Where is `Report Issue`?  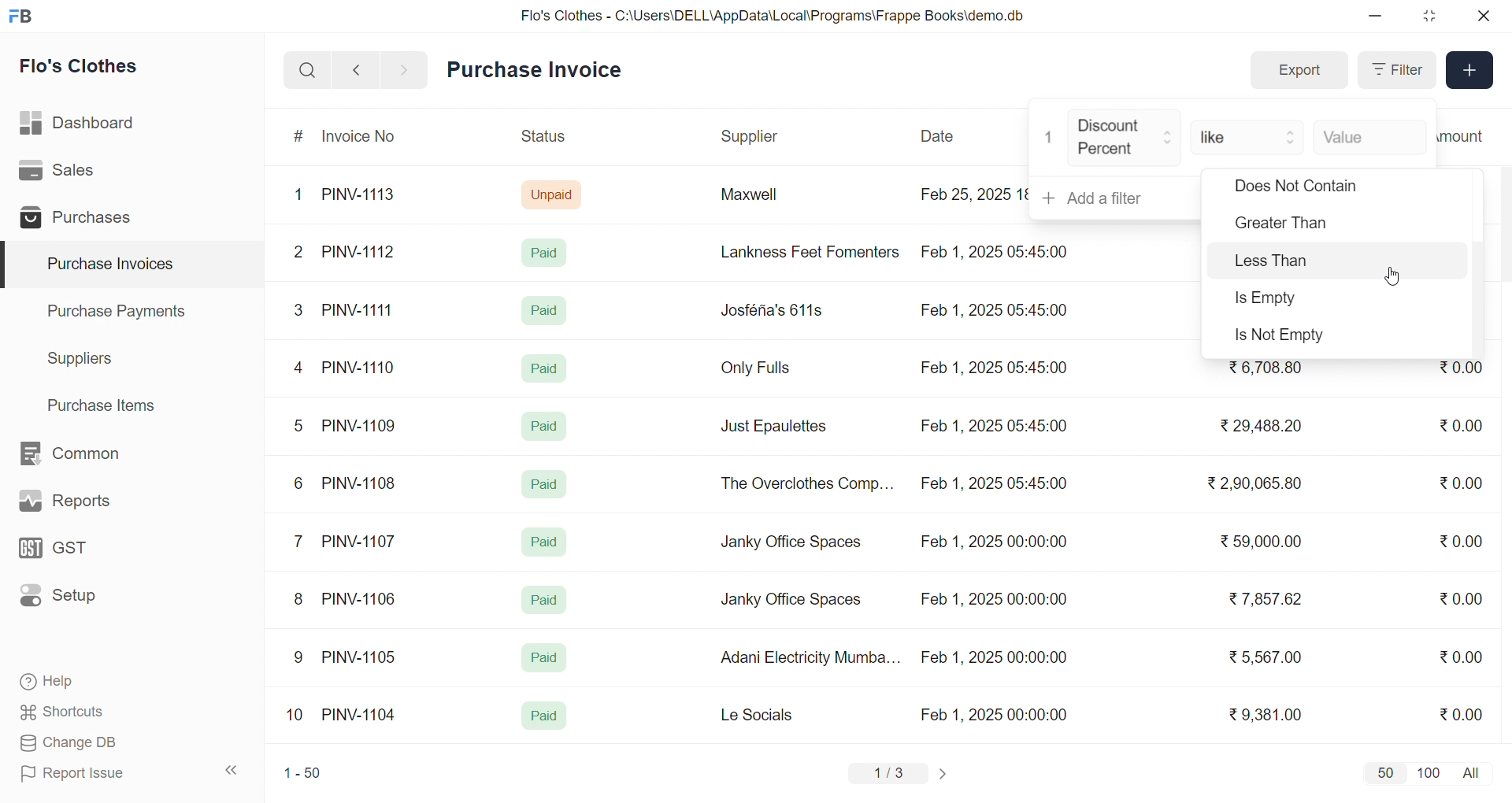 Report Issue is located at coordinates (98, 773).